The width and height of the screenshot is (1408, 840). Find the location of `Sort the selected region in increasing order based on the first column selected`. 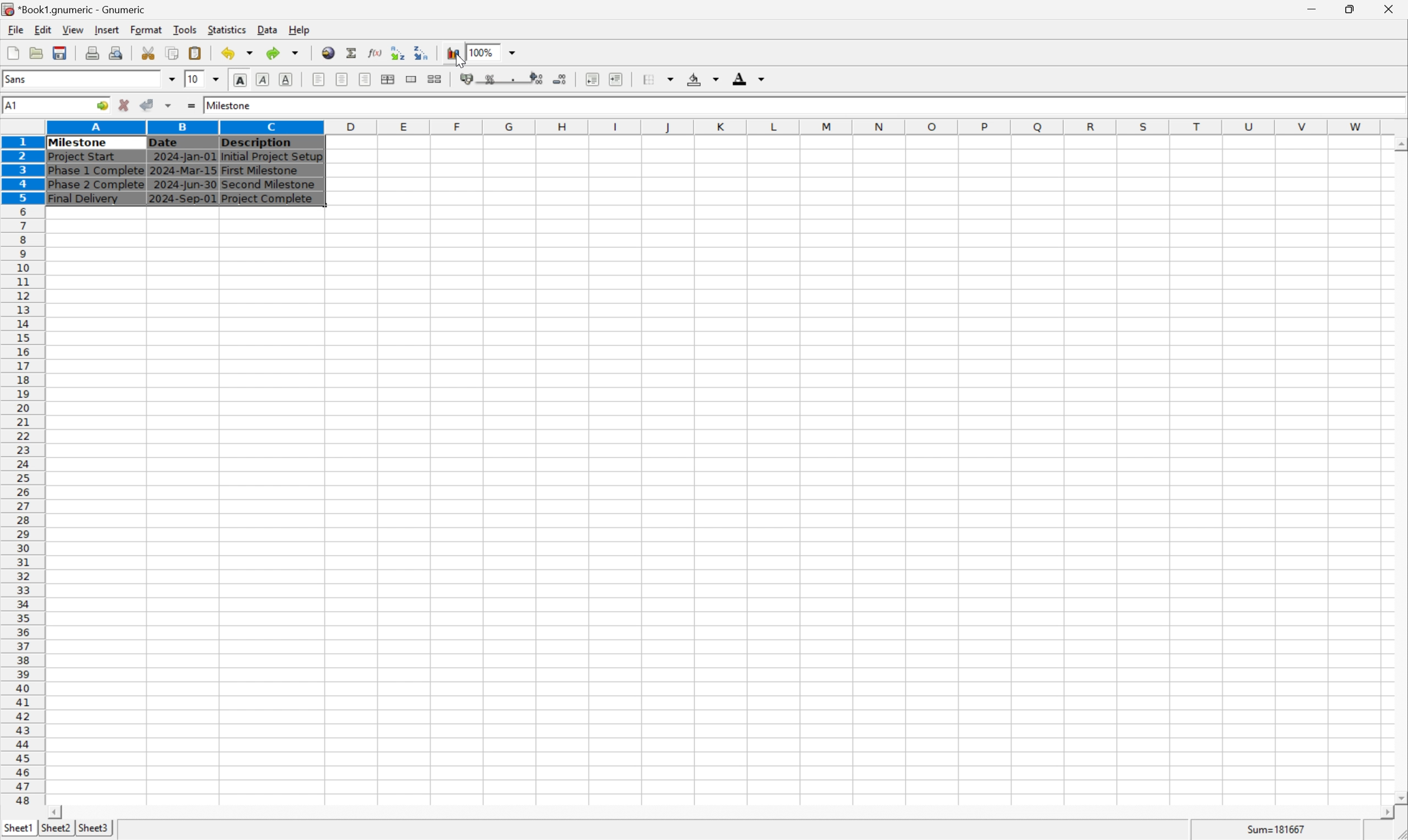

Sort the selected region in increasing order based on the first column selected is located at coordinates (395, 53).